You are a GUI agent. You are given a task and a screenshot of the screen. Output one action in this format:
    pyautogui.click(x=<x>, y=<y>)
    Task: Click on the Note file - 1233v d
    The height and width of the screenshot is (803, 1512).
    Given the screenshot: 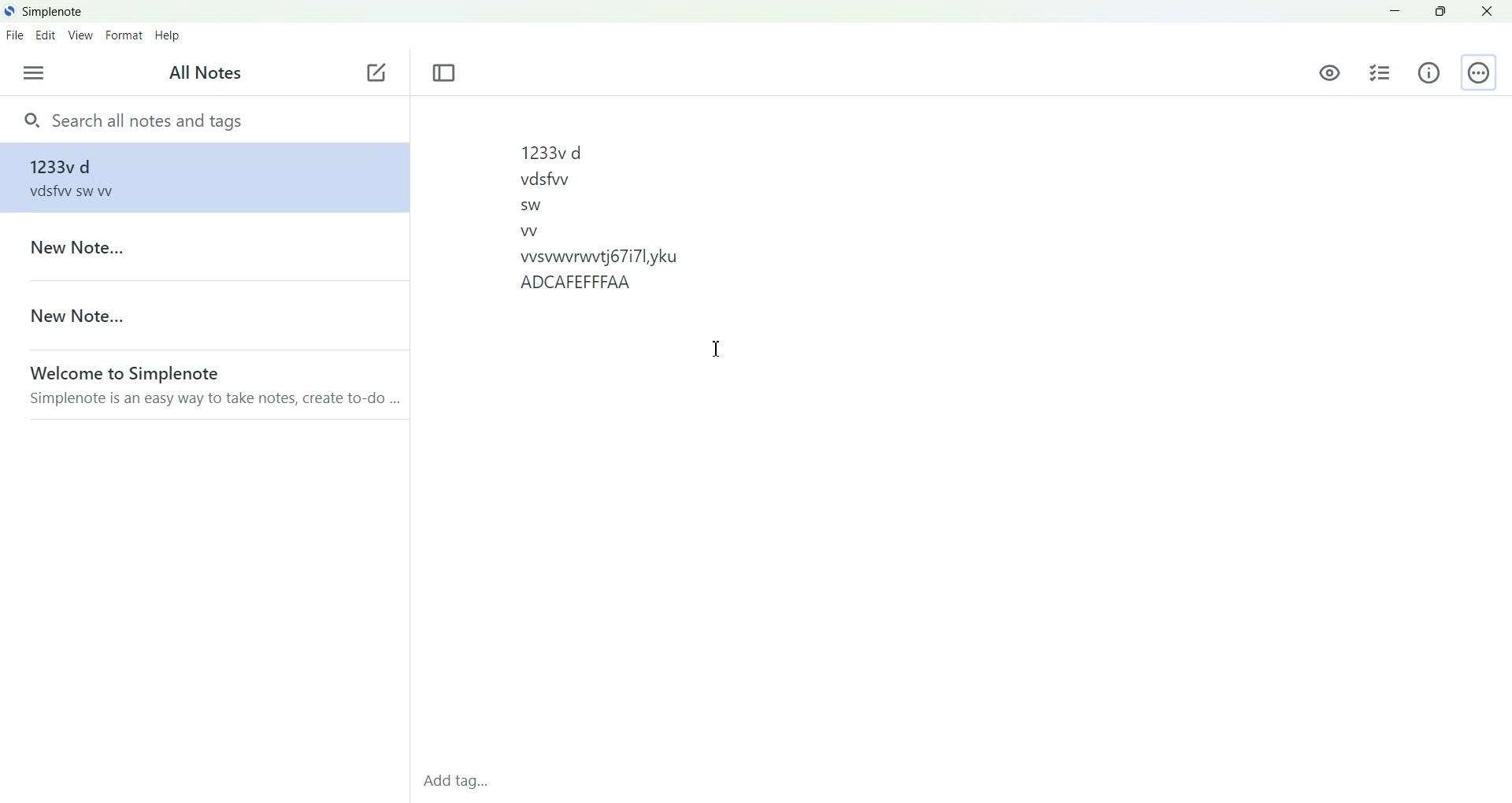 What is the action you would take?
    pyautogui.click(x=202, y=177)
    